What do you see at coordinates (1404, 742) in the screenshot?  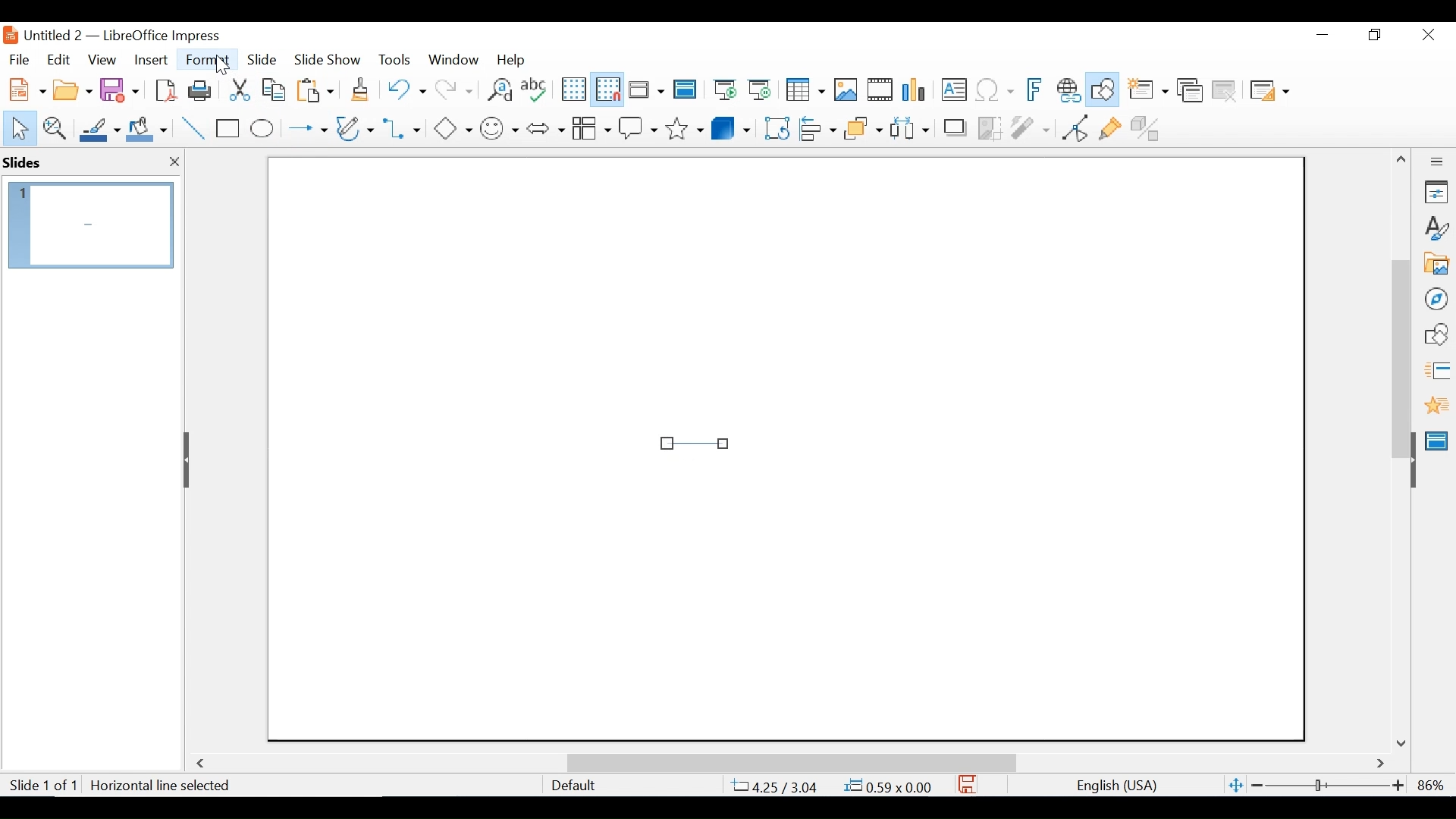 I see `Scroll down` at bounding box center [1404, 742].